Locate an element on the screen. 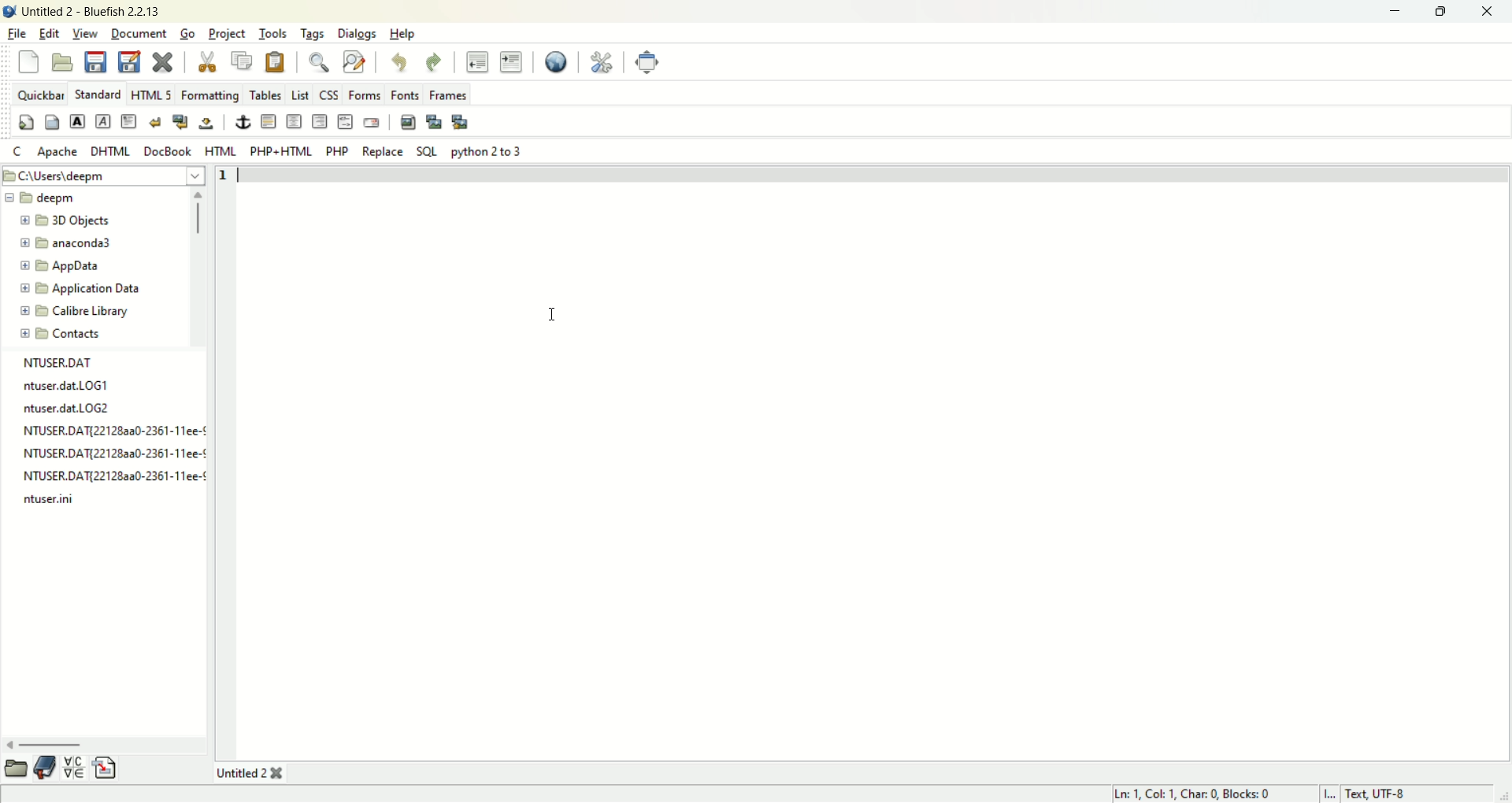 Image resolution: width=1512 pixels, height=803 pixels. save as is located at coordinates (130, 61).